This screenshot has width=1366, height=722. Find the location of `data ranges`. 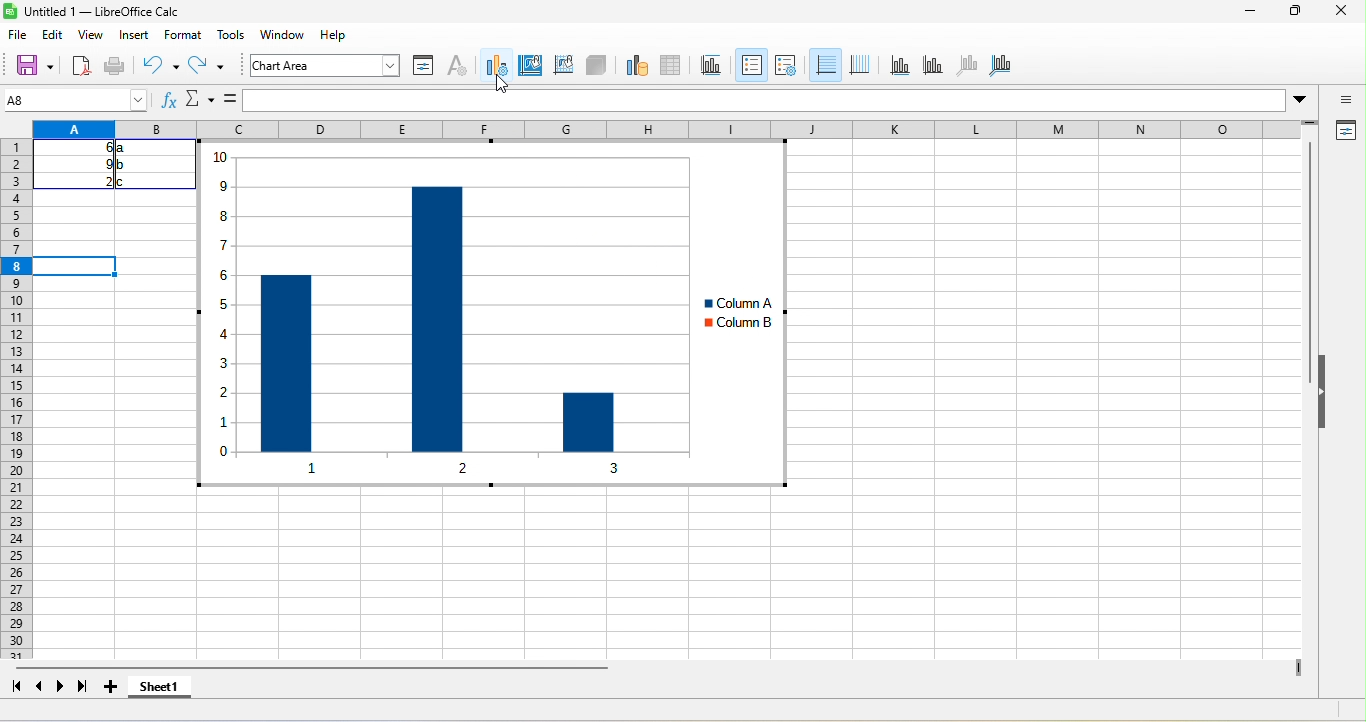

data ranges is located at coordinates (631, 66).